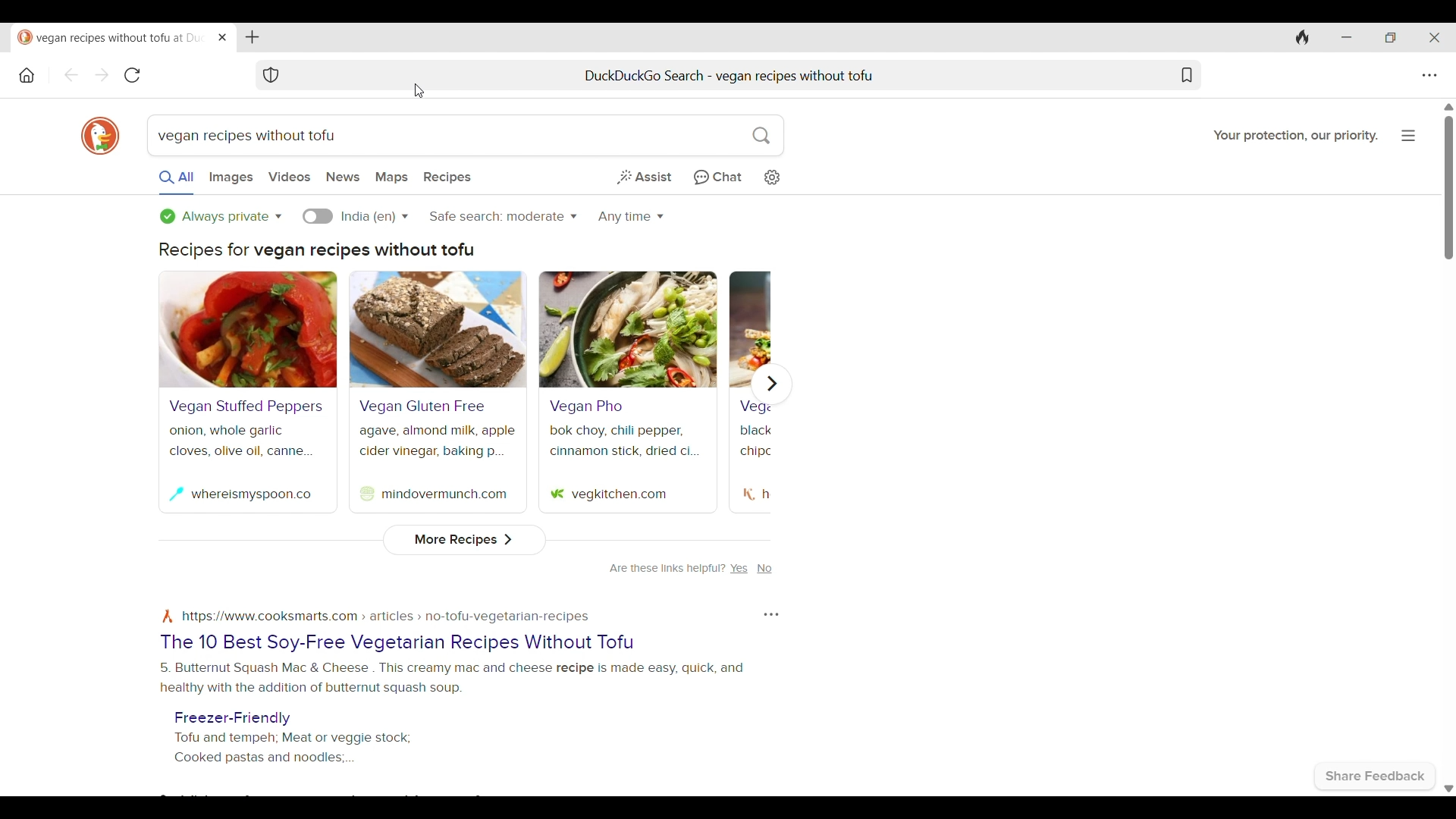 The height and width of the screenshot is (819, 1456). What do you see at coordinates (177, 182) in the screenshot?
I see `All searches` at bounding box center [177, 182].